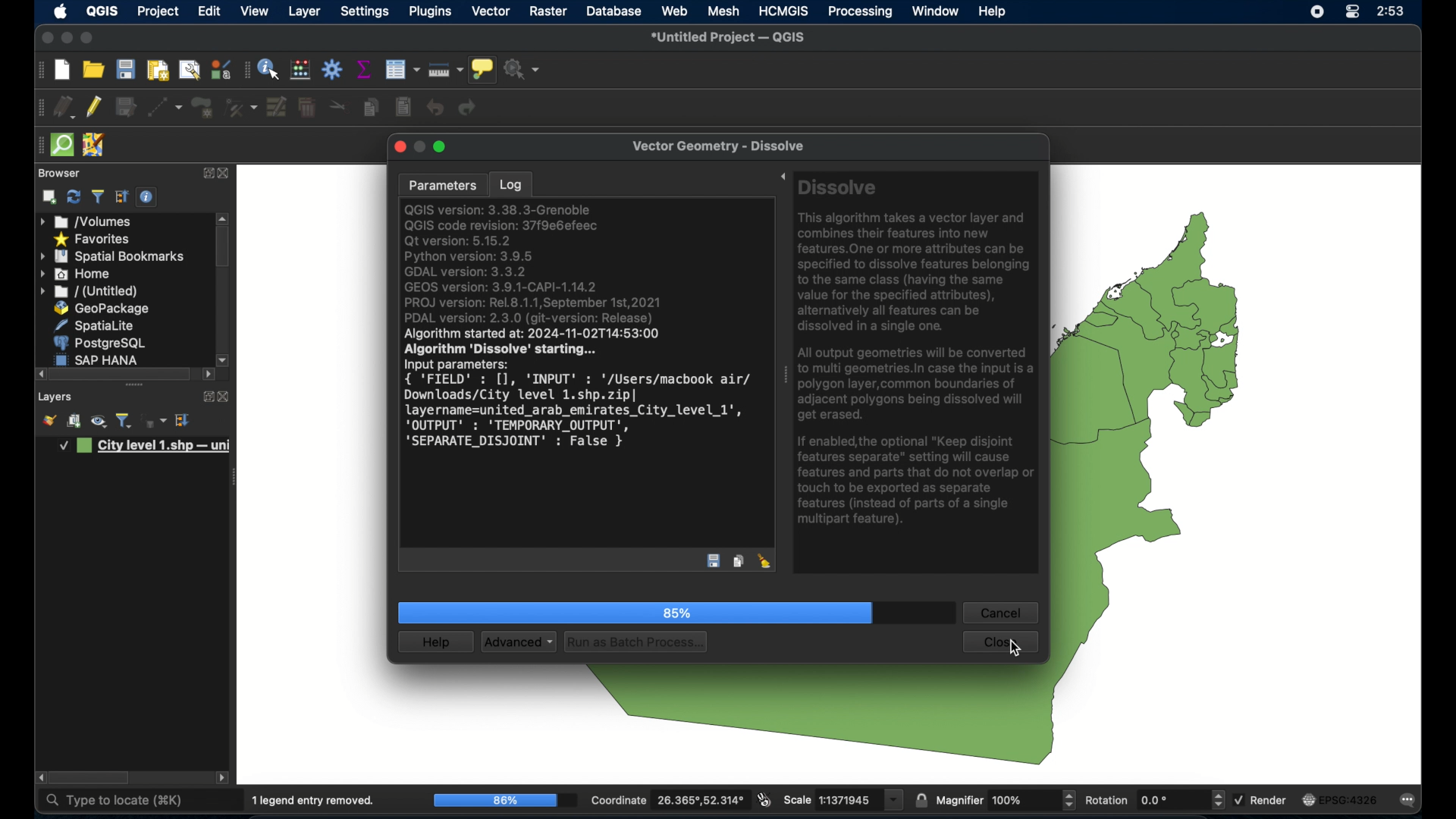  What do you see at coordinates (202, 106) in the screenshot?
I see `add polygon feature` at bounding box center [202, 106].